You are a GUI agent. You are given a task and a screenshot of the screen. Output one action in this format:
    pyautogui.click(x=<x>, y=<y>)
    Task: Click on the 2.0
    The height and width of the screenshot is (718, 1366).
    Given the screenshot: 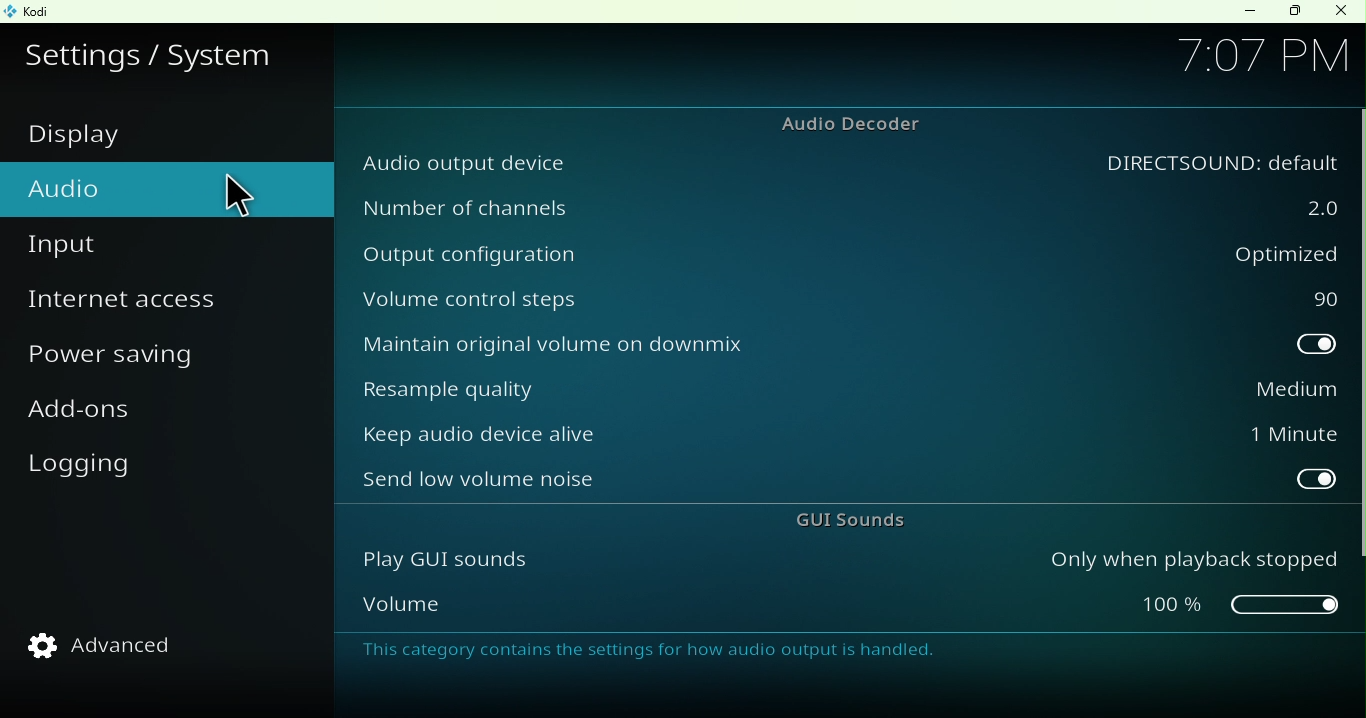 What is the action you would take?
    pyautogui.click(x=1218, y=205)
    